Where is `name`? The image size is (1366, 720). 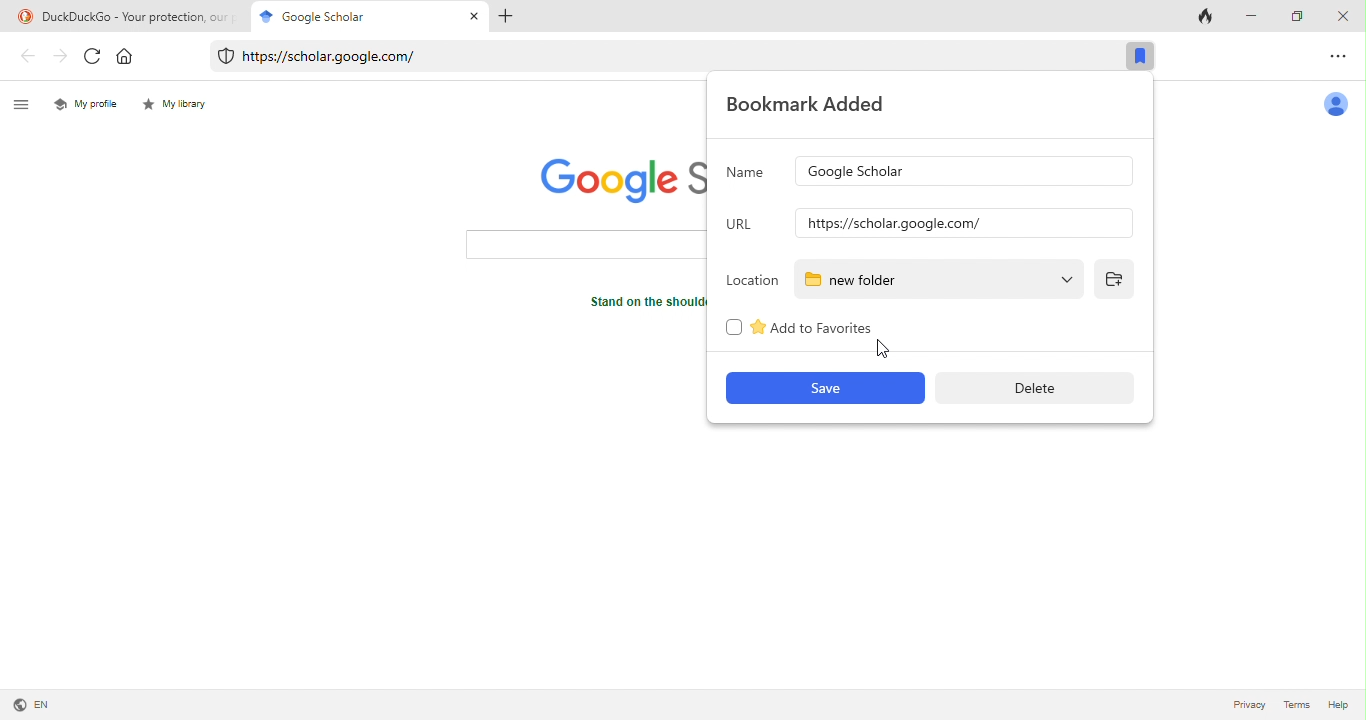
name is located at coordinates (748, 173).